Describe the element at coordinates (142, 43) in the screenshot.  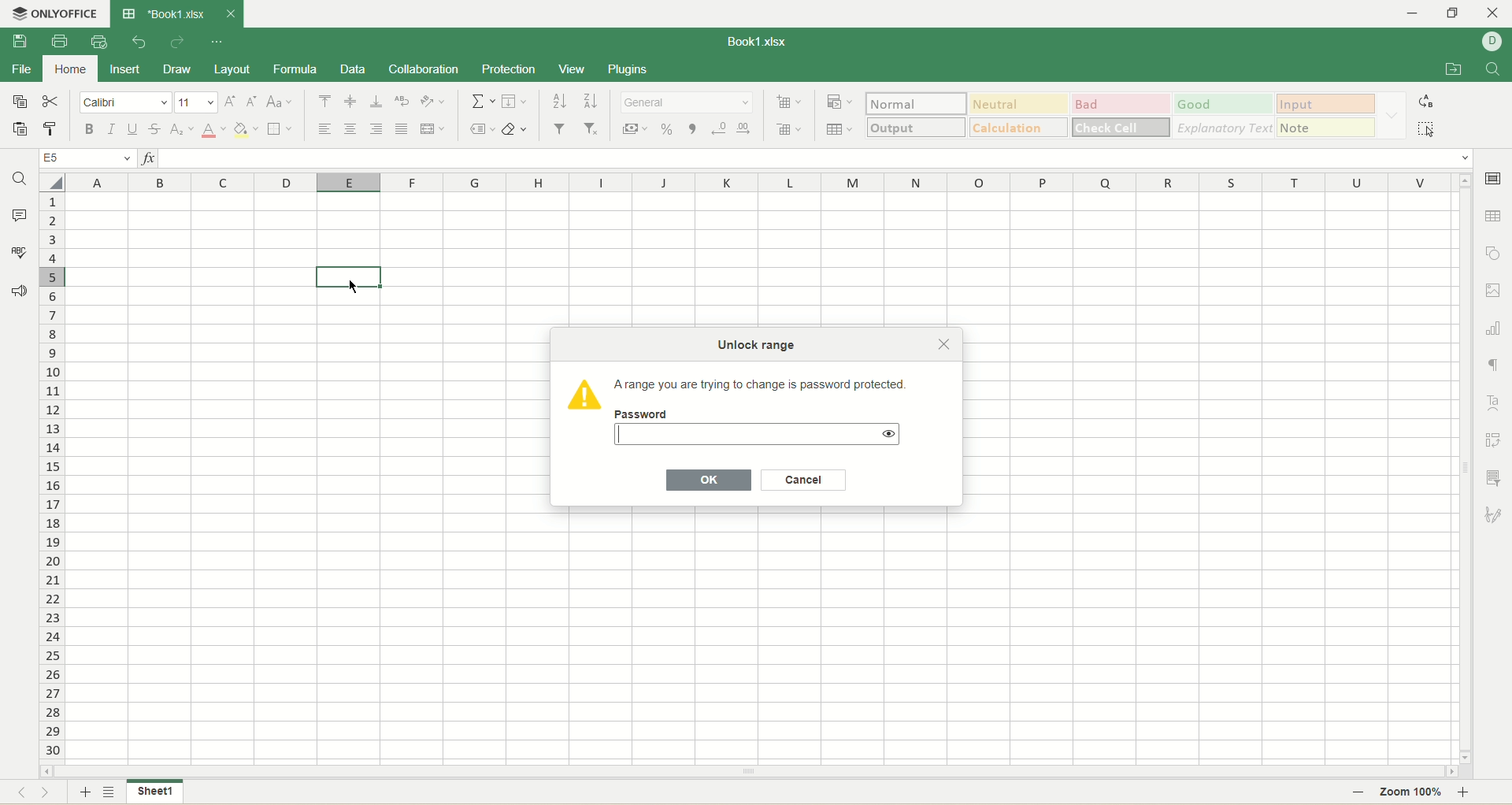
I see `undo` at that location.